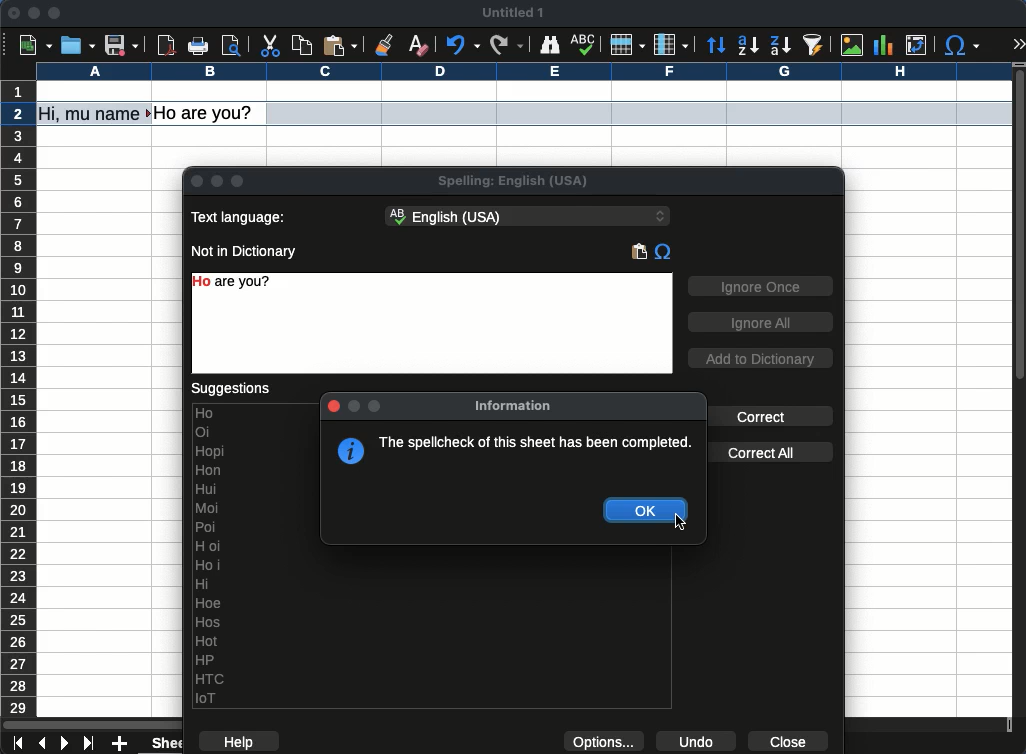 This screenshot has height=754, width=1026. What do you see at coordinates (208, 660) in the screenshot?
I see `HP` at bounding box center [208, 660].